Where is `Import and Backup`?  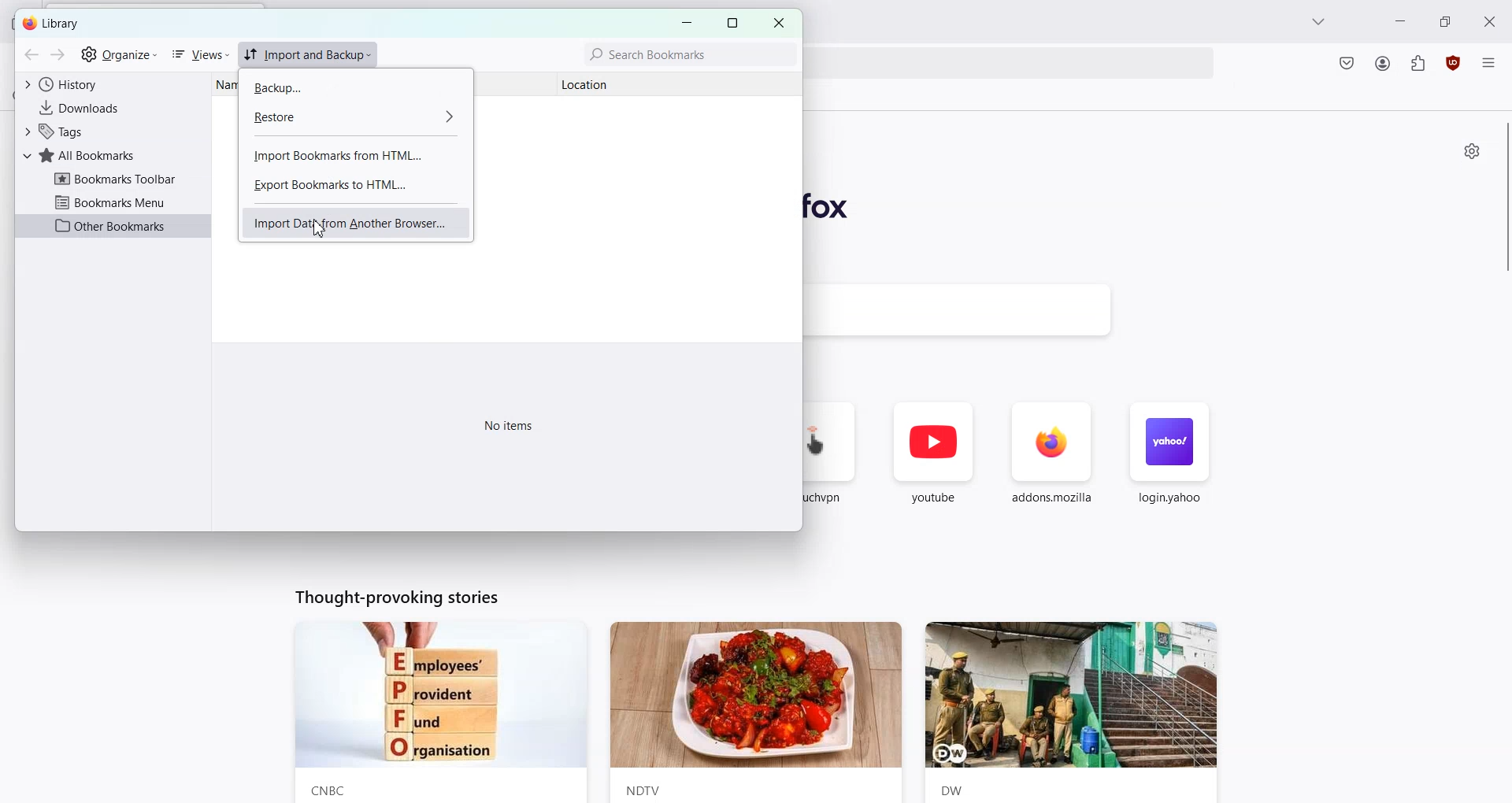
Import and Backup is located at coordinates (308, 55).